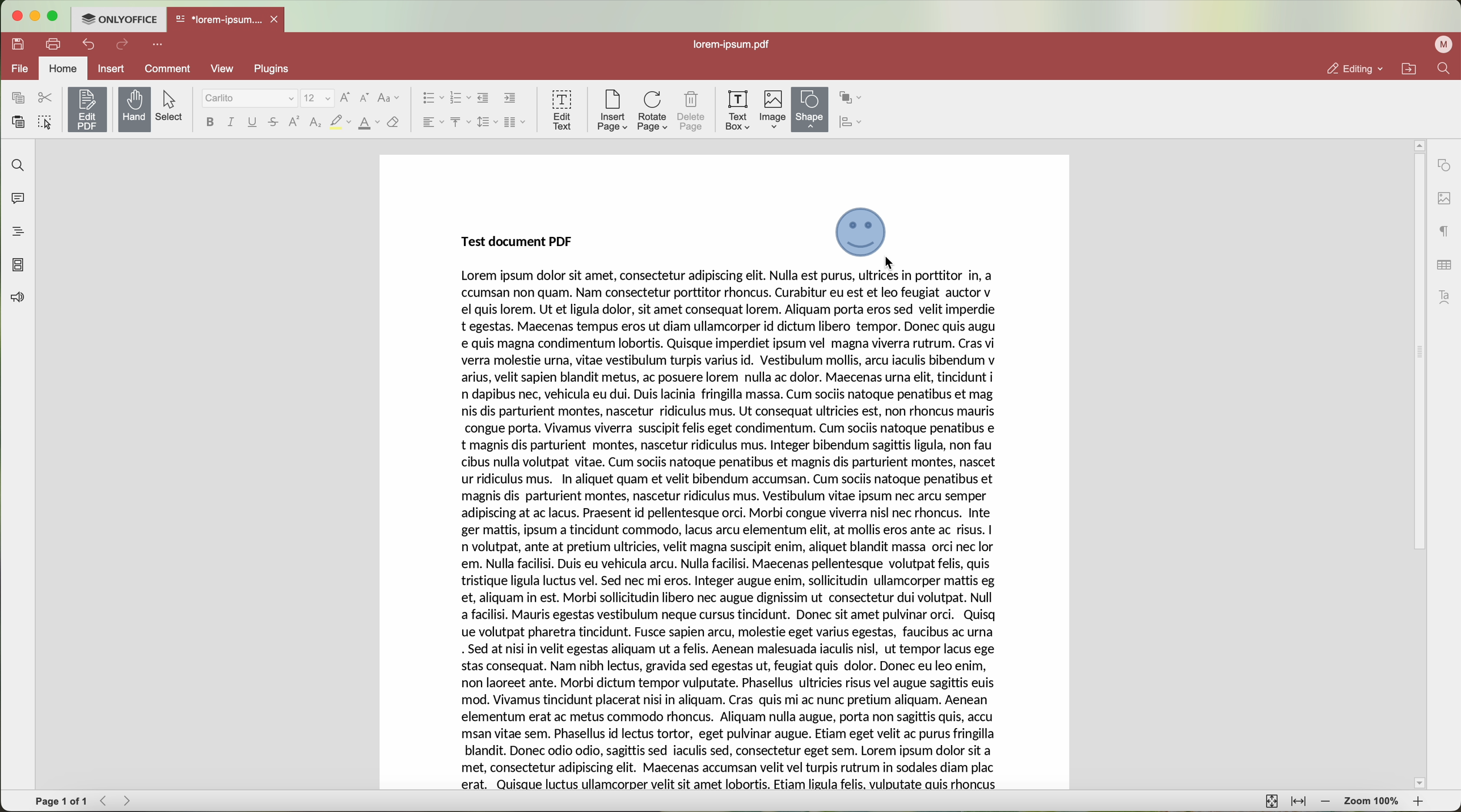 This screenshot has width=1461, height=812. What do you see at coordinates (293, 122) in the screenshot?
I see `superscript` at bounding box center [293, 122].